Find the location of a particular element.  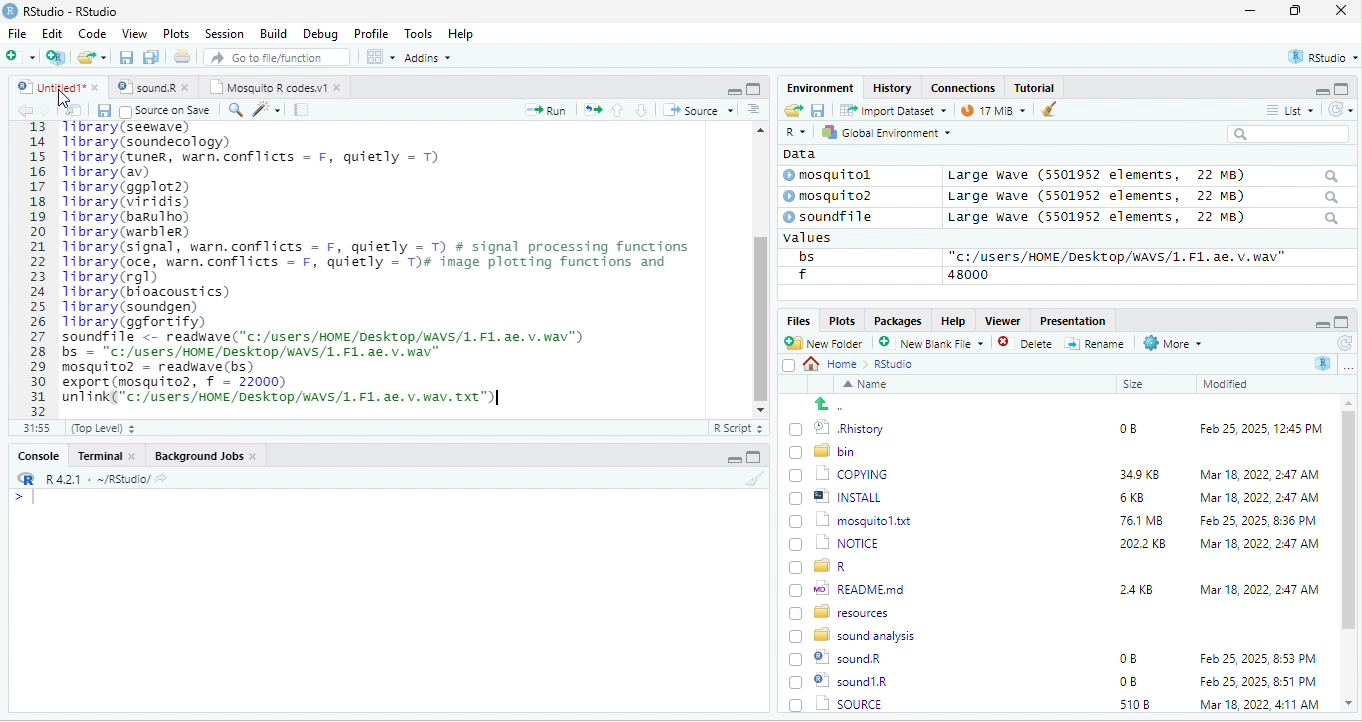

sort is located at coordinates (753, 108).